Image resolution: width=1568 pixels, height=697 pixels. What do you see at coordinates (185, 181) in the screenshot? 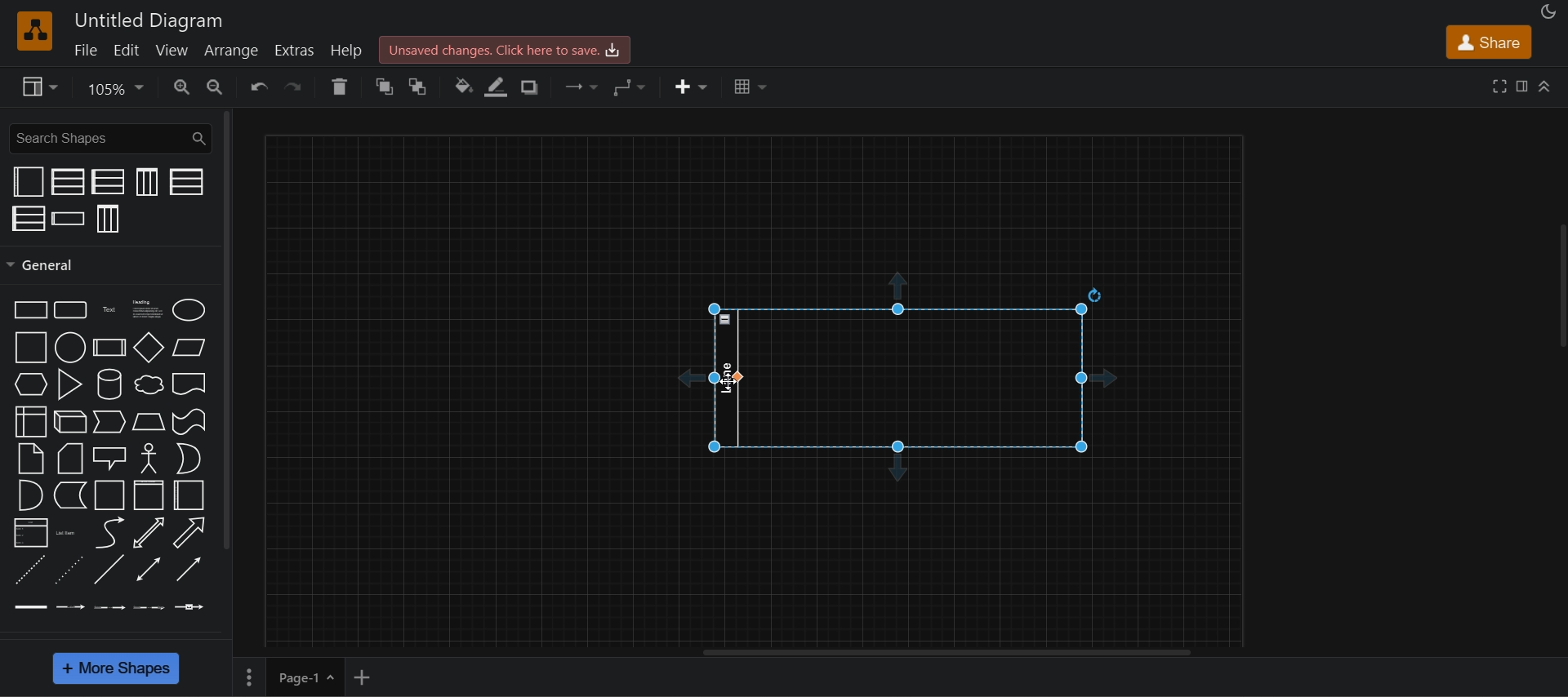
I see `horizontal pool 1` at bounding box center [185, 181].